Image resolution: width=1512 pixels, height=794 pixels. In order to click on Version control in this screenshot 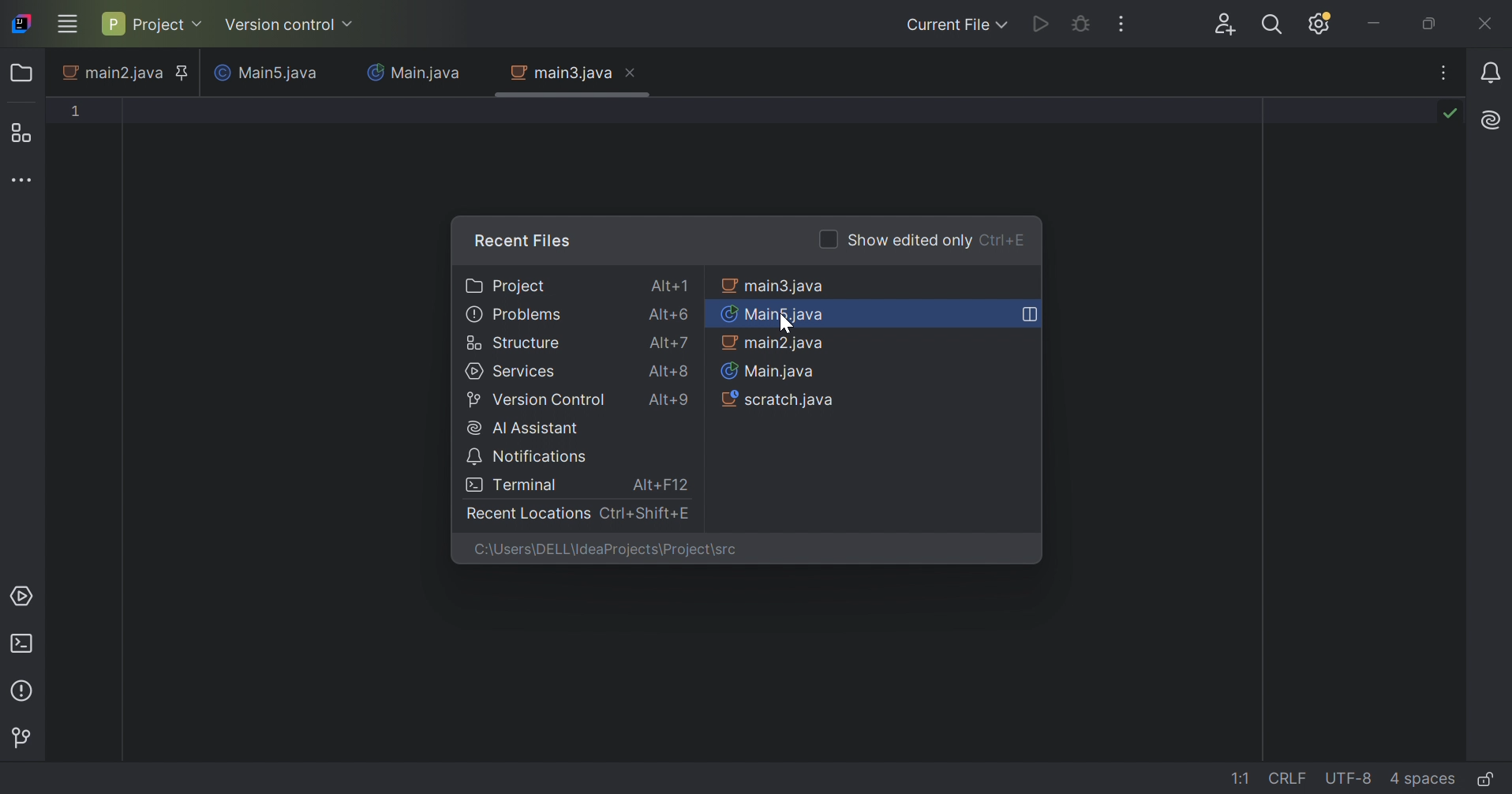, I will do `click(286, 26)`.